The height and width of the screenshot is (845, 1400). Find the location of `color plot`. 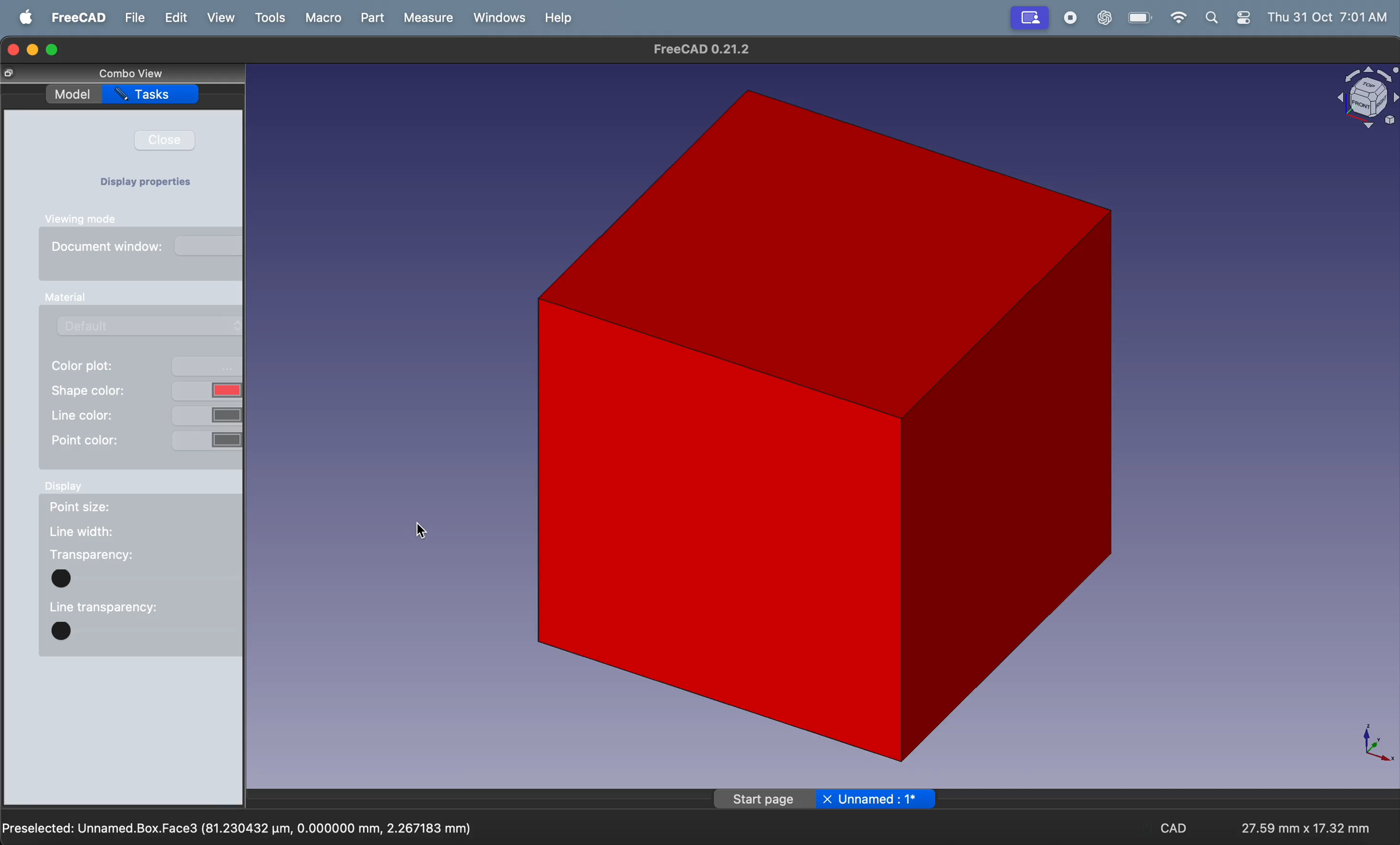

color plot is located at coordinates (147, 367).